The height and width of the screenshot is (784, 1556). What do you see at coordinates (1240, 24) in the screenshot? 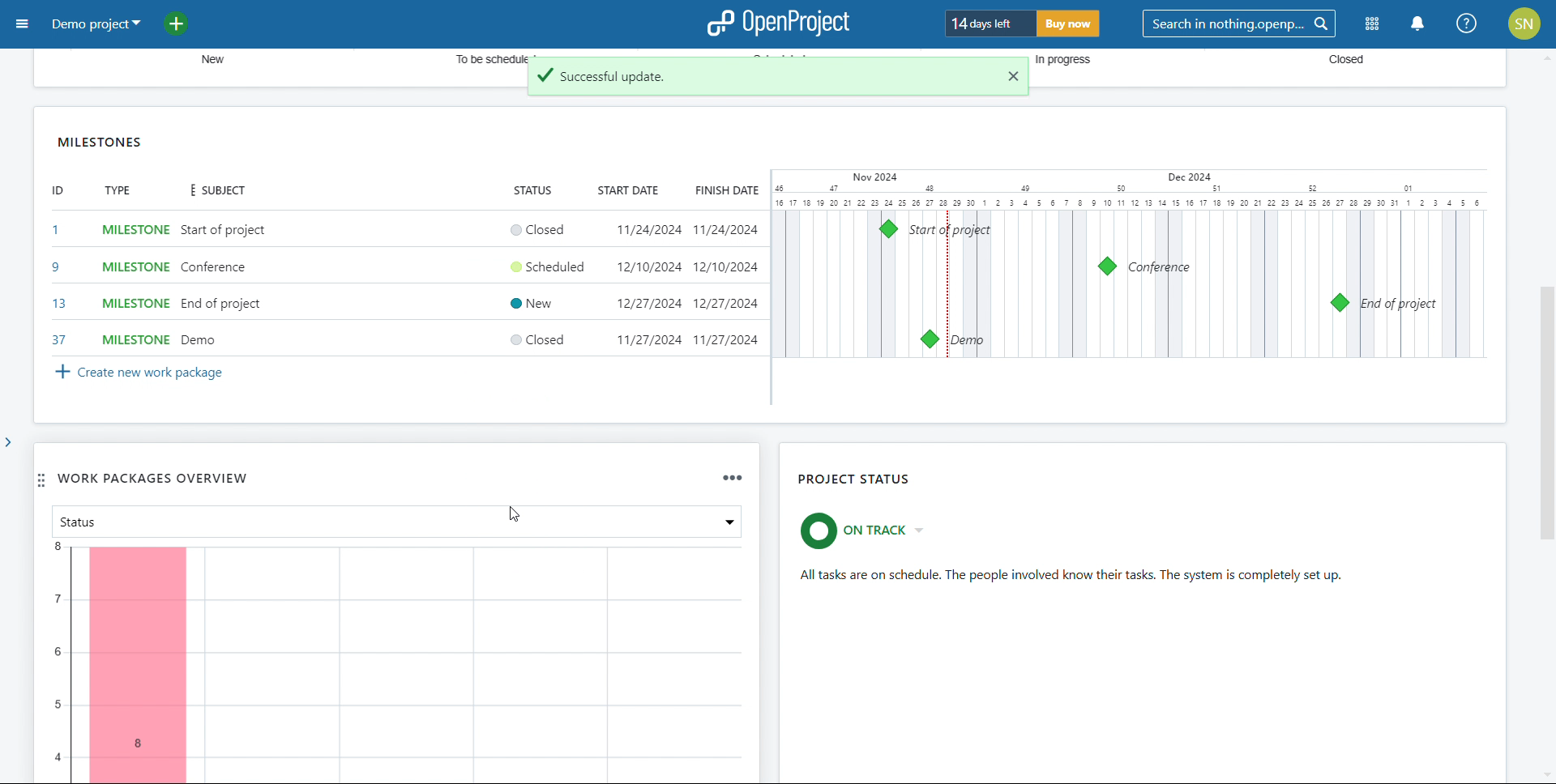
I see `search` at bounding box center [1240, 24].